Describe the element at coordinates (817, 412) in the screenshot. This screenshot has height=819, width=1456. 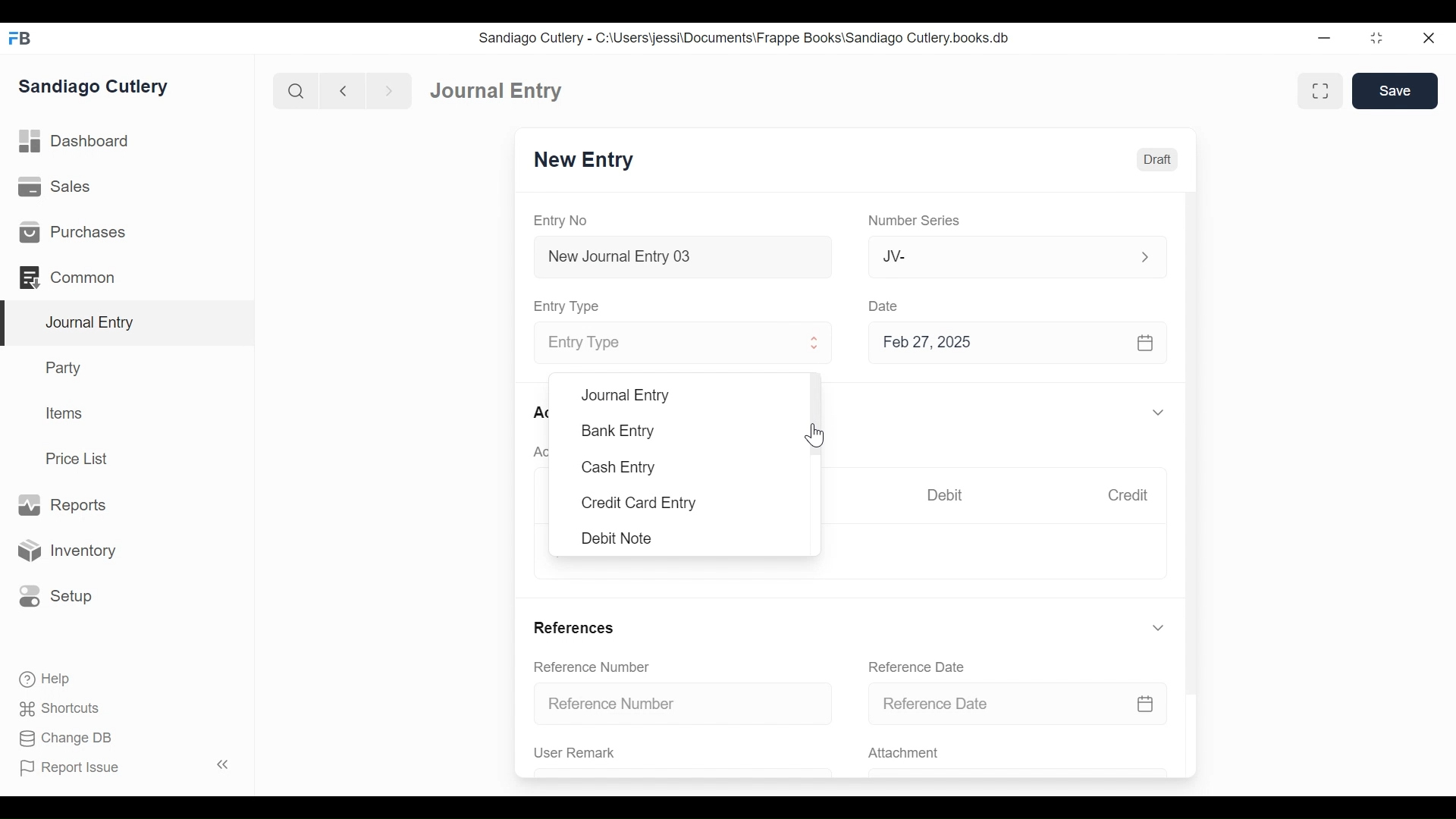
I see `Vertical Scroll bar` at that location.